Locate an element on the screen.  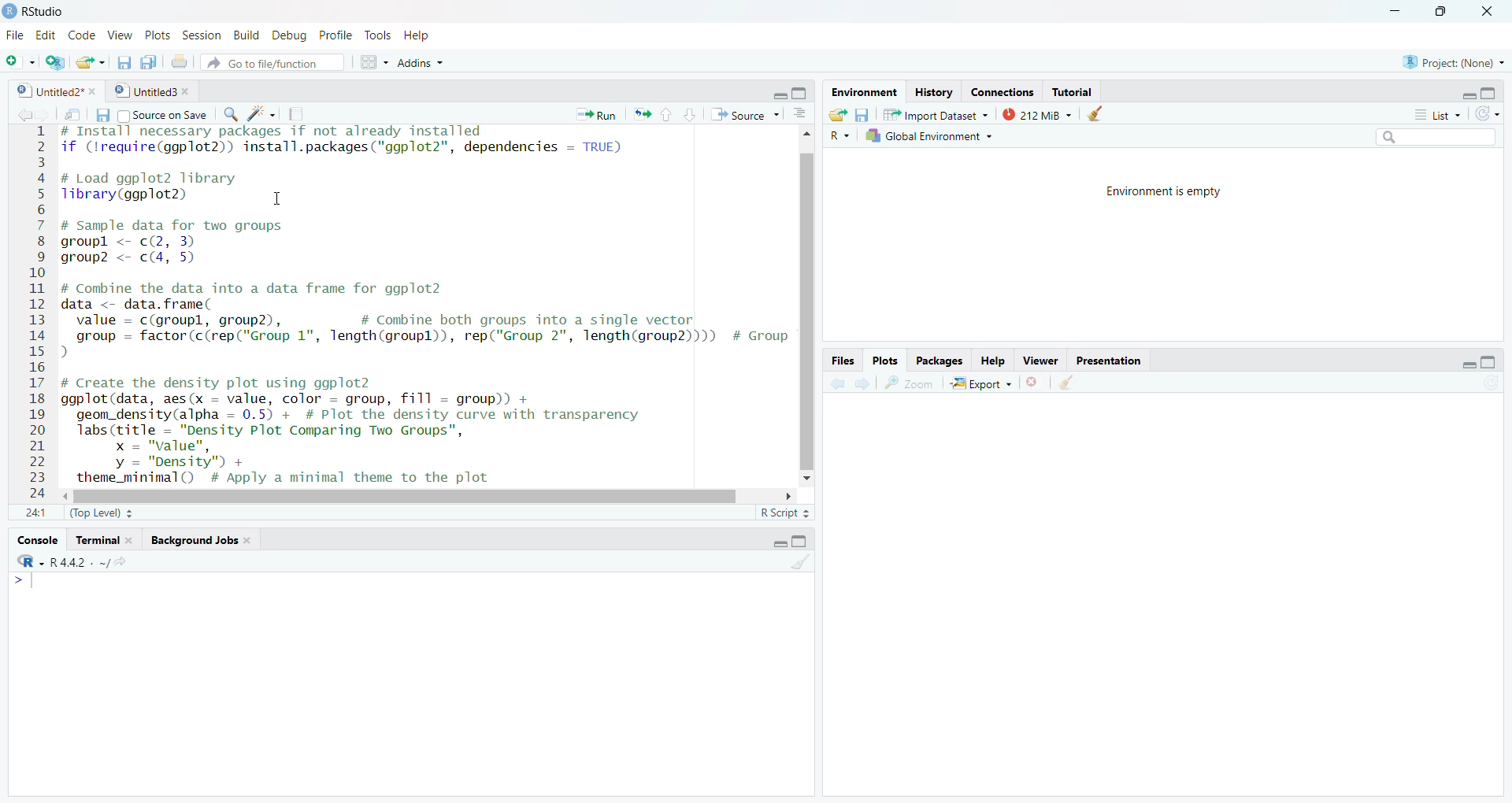
previous is located at coordinates (838, 383).